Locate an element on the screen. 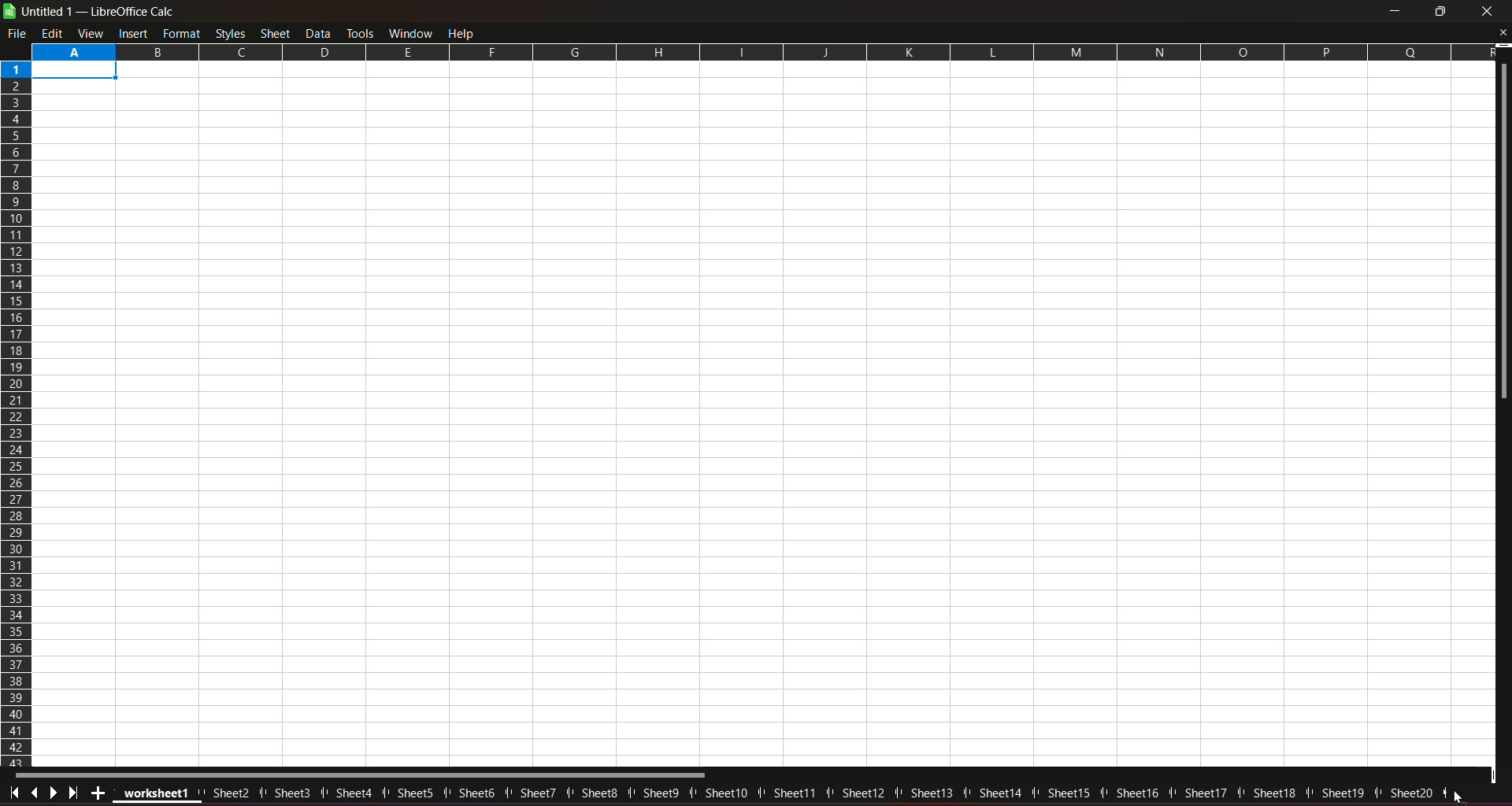  format is located at coordinates (182, 33).